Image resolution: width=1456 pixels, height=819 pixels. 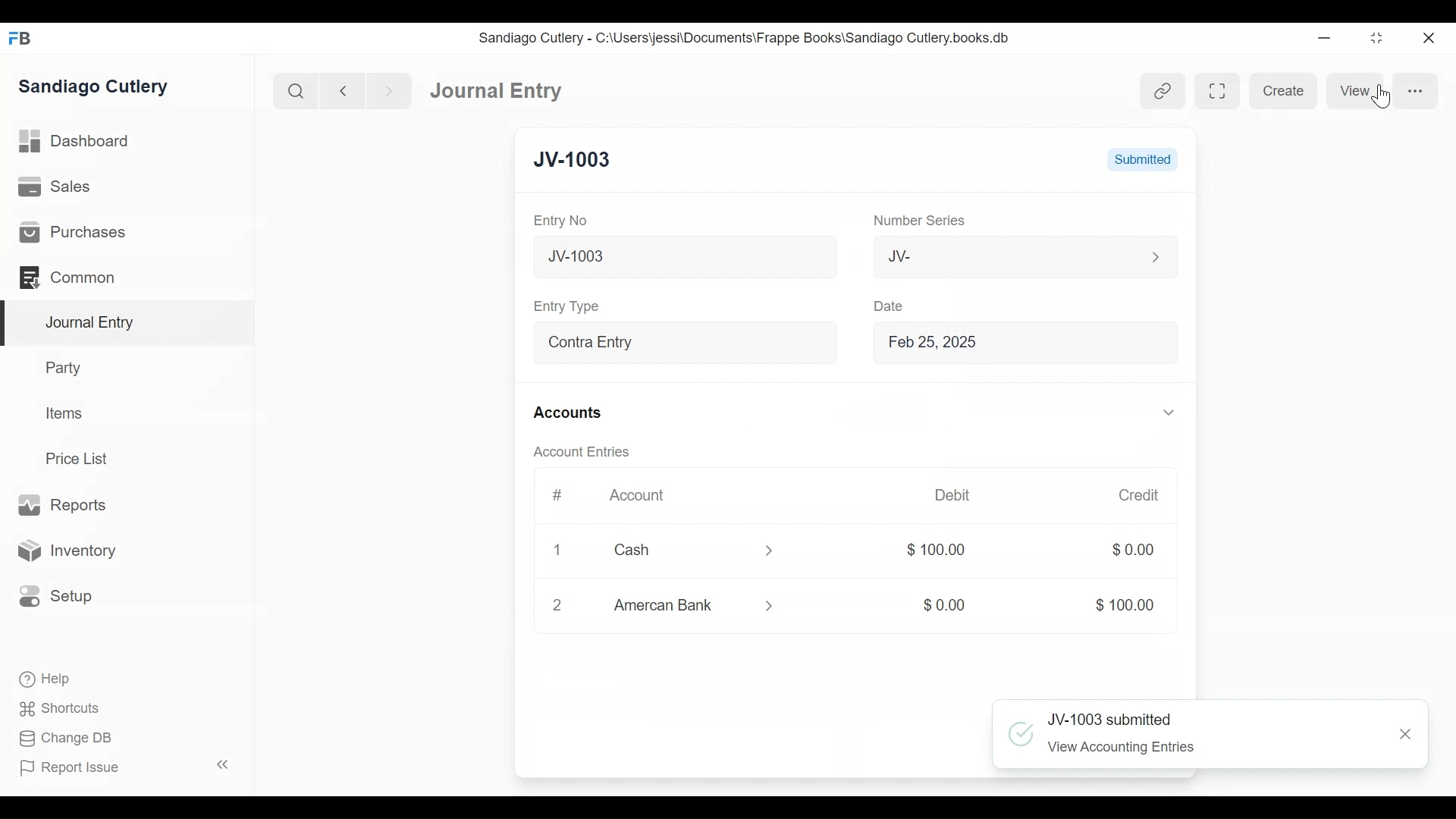 What do you see at coordinates (682, 342) in the screenshot?
I see `Contra Entry` at bounding box center [682, 342].